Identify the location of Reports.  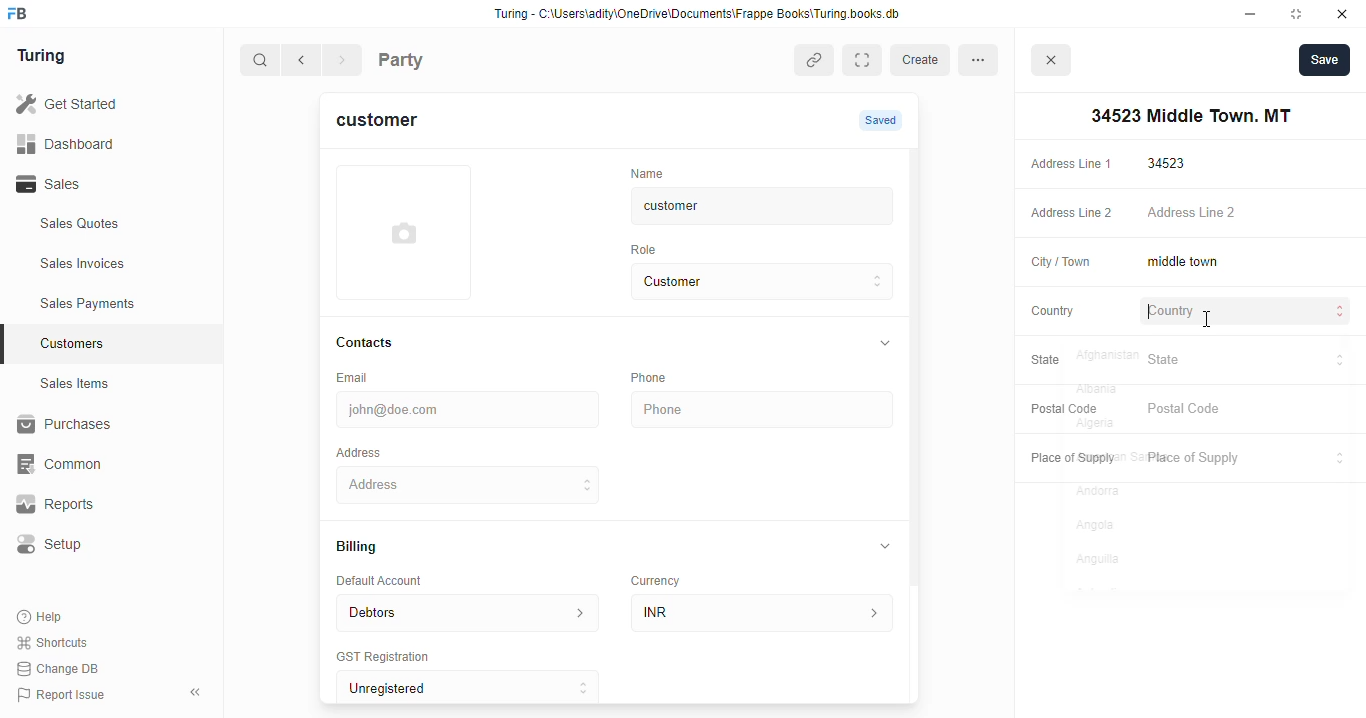
(91, 505).